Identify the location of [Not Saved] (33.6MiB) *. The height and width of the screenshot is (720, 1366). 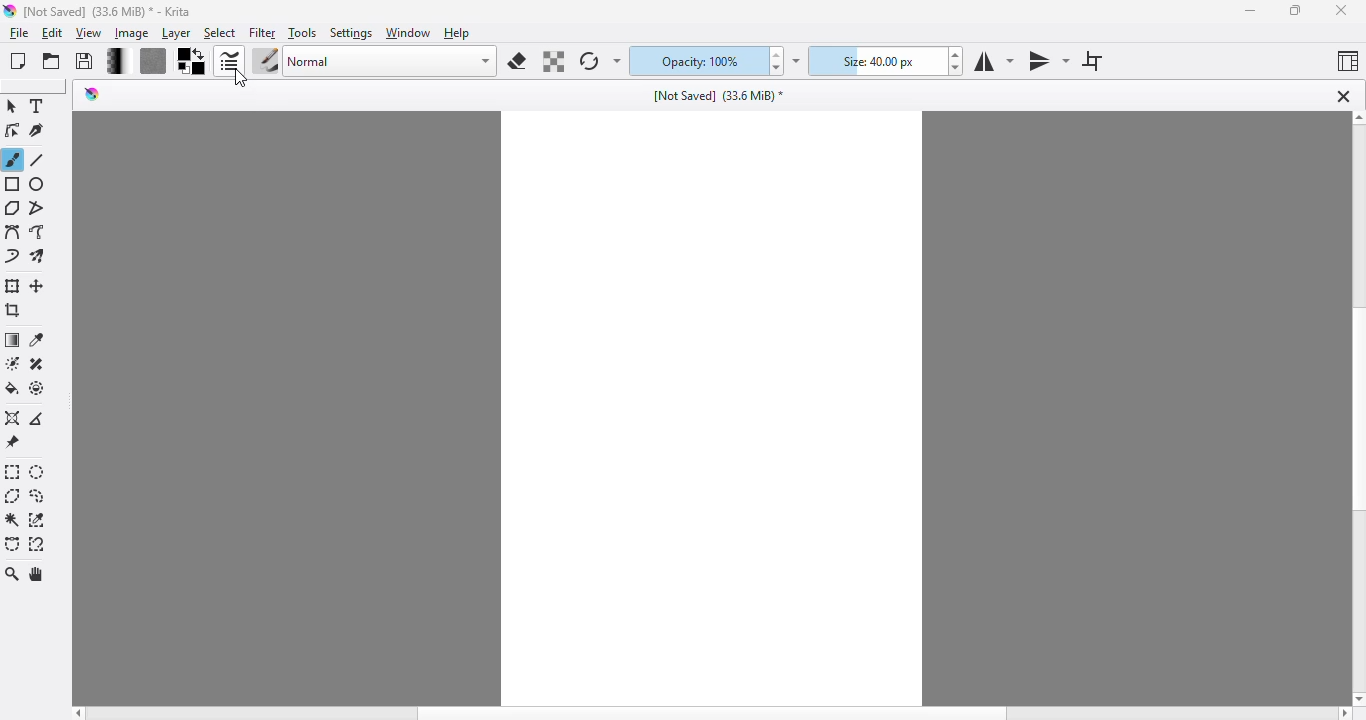
(721, 95).